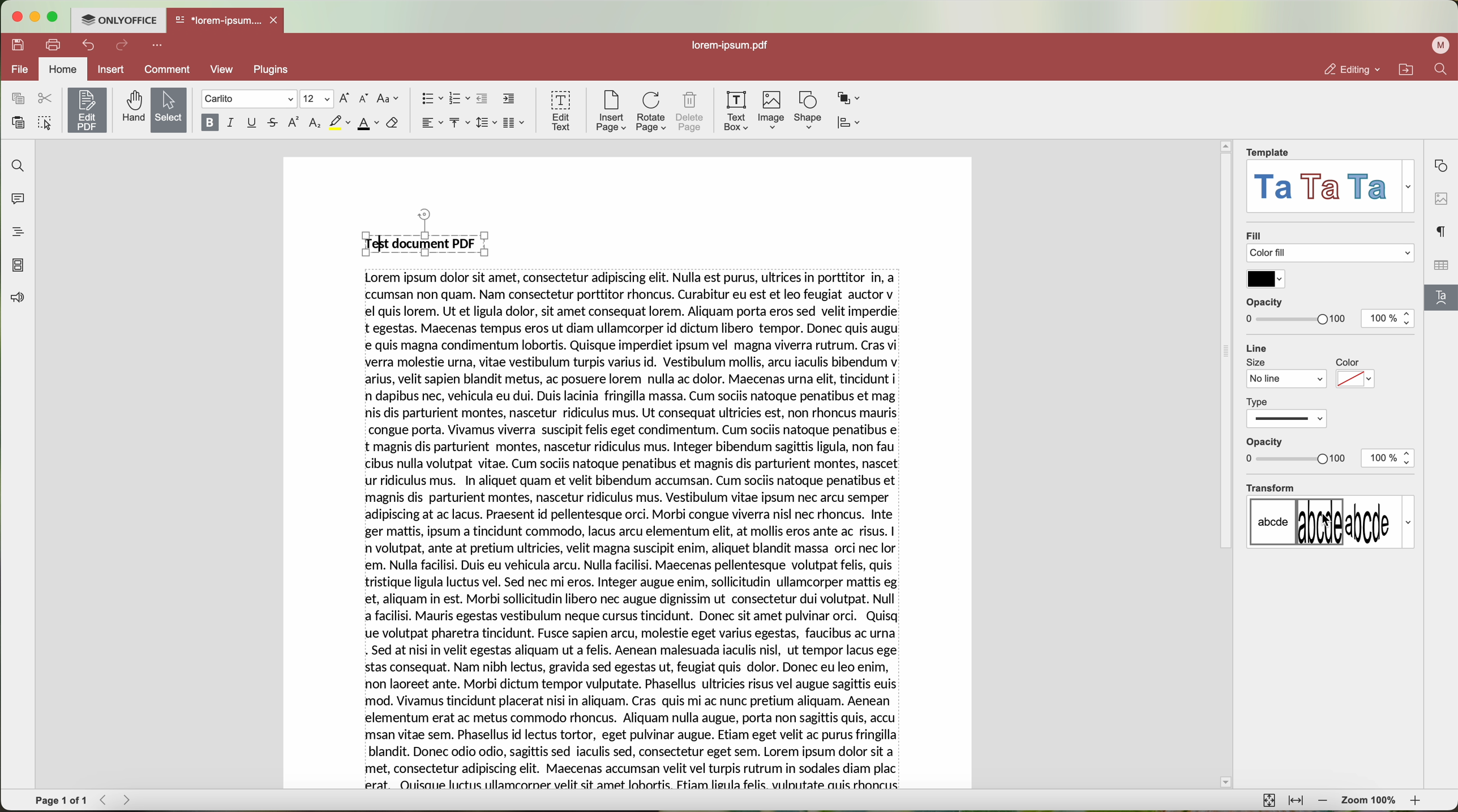  What do you see at coordinates (158, 46) in the screenshot?
I see `customize quick access toolbar` at bounding box center [158, 46].